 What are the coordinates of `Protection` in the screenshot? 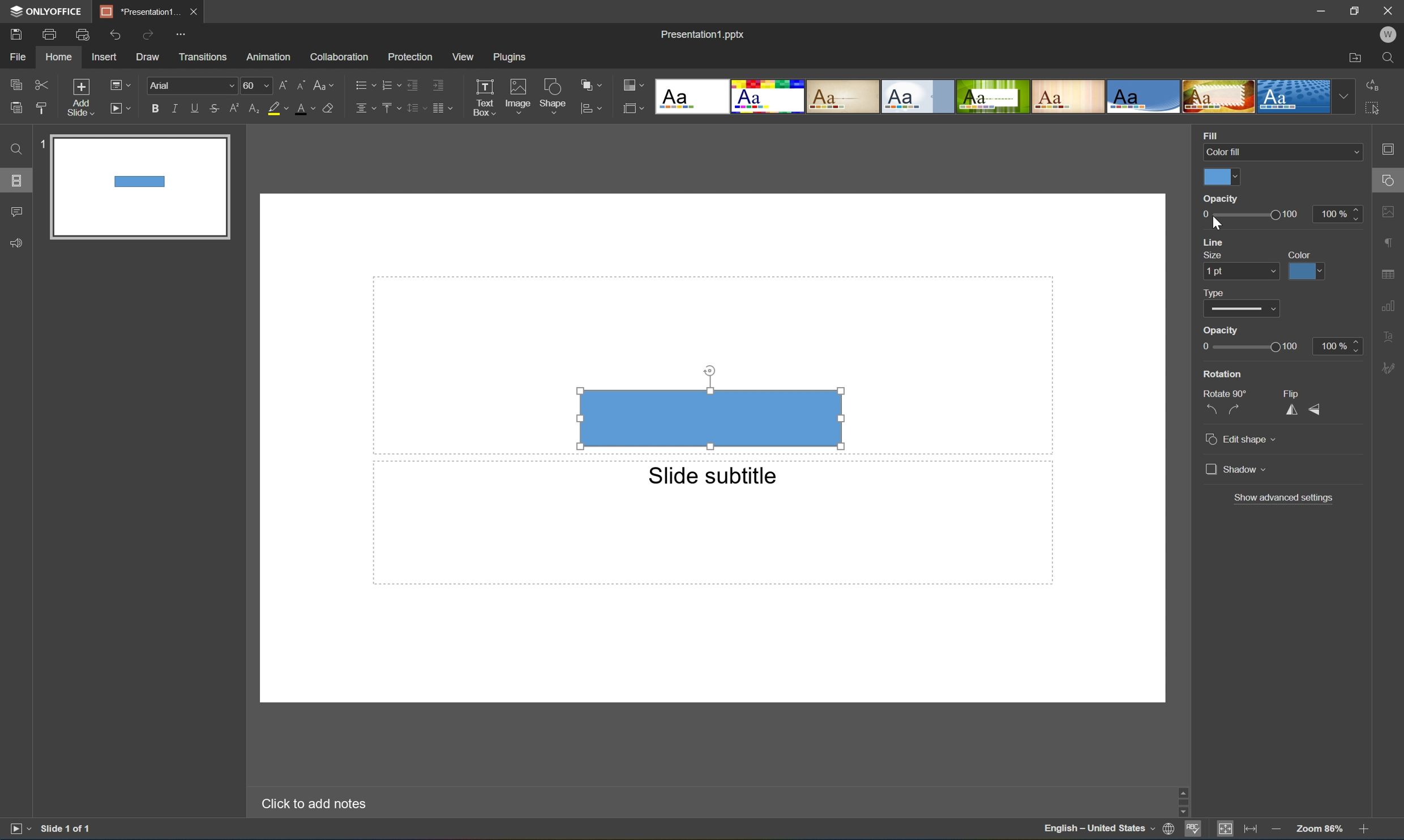 It's located at (409, 56).